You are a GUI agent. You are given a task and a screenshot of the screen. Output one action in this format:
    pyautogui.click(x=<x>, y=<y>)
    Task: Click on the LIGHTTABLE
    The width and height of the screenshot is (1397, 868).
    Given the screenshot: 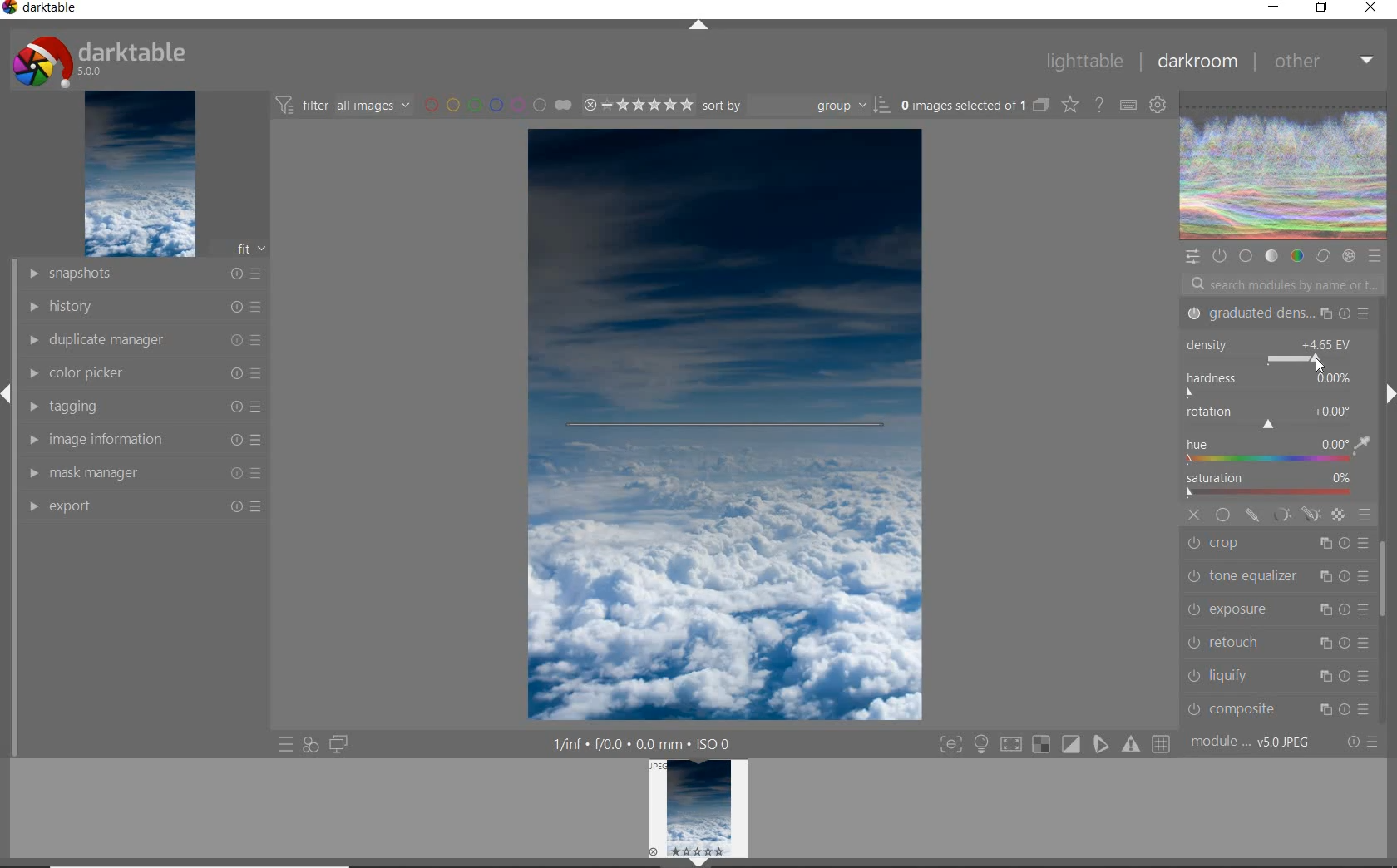 What is the action you would take?
    pyautogui.click(x=1083, y=60)
    